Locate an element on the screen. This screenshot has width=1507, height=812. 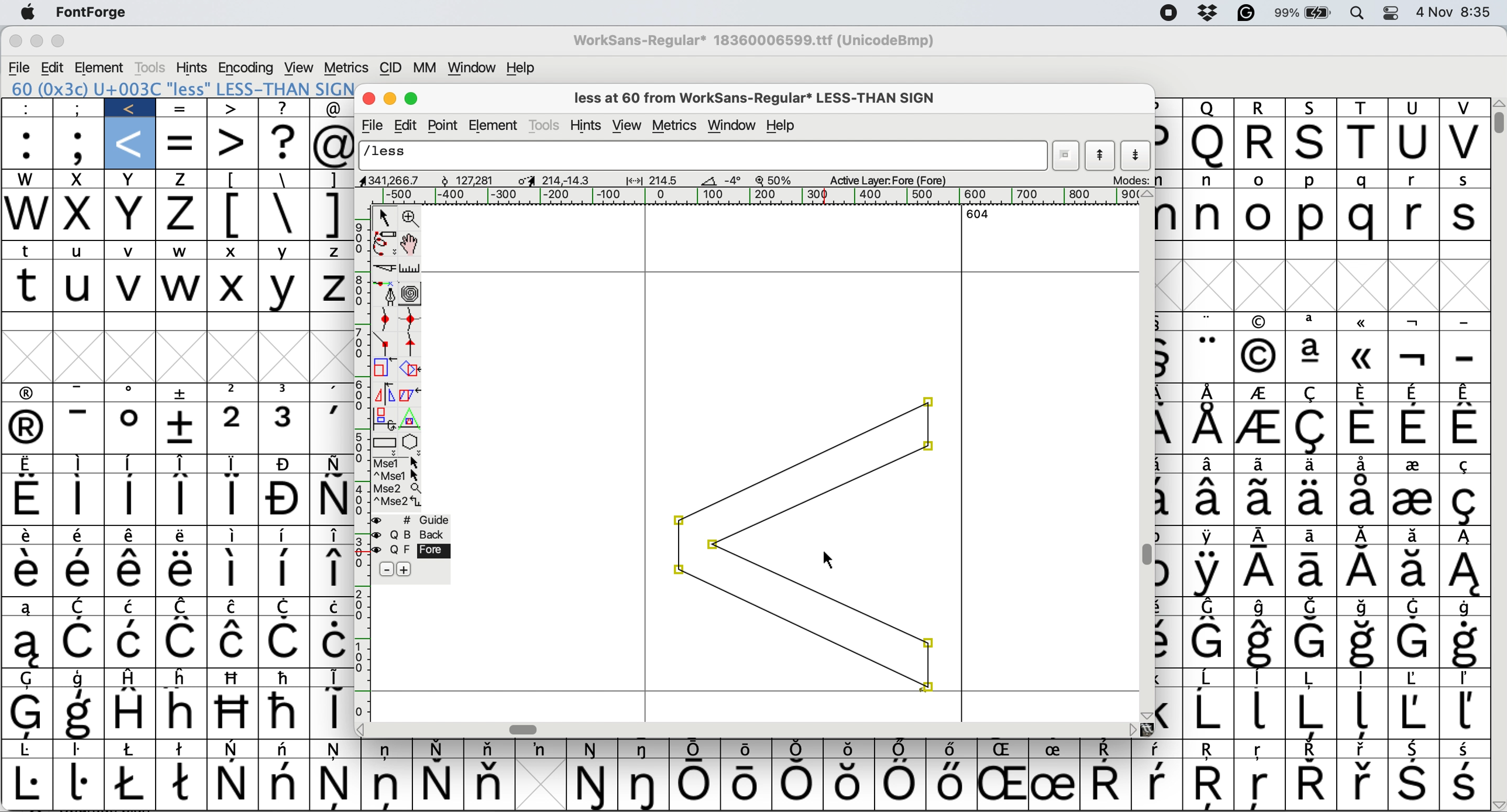
Symbol is located at coordinates (330, 535).